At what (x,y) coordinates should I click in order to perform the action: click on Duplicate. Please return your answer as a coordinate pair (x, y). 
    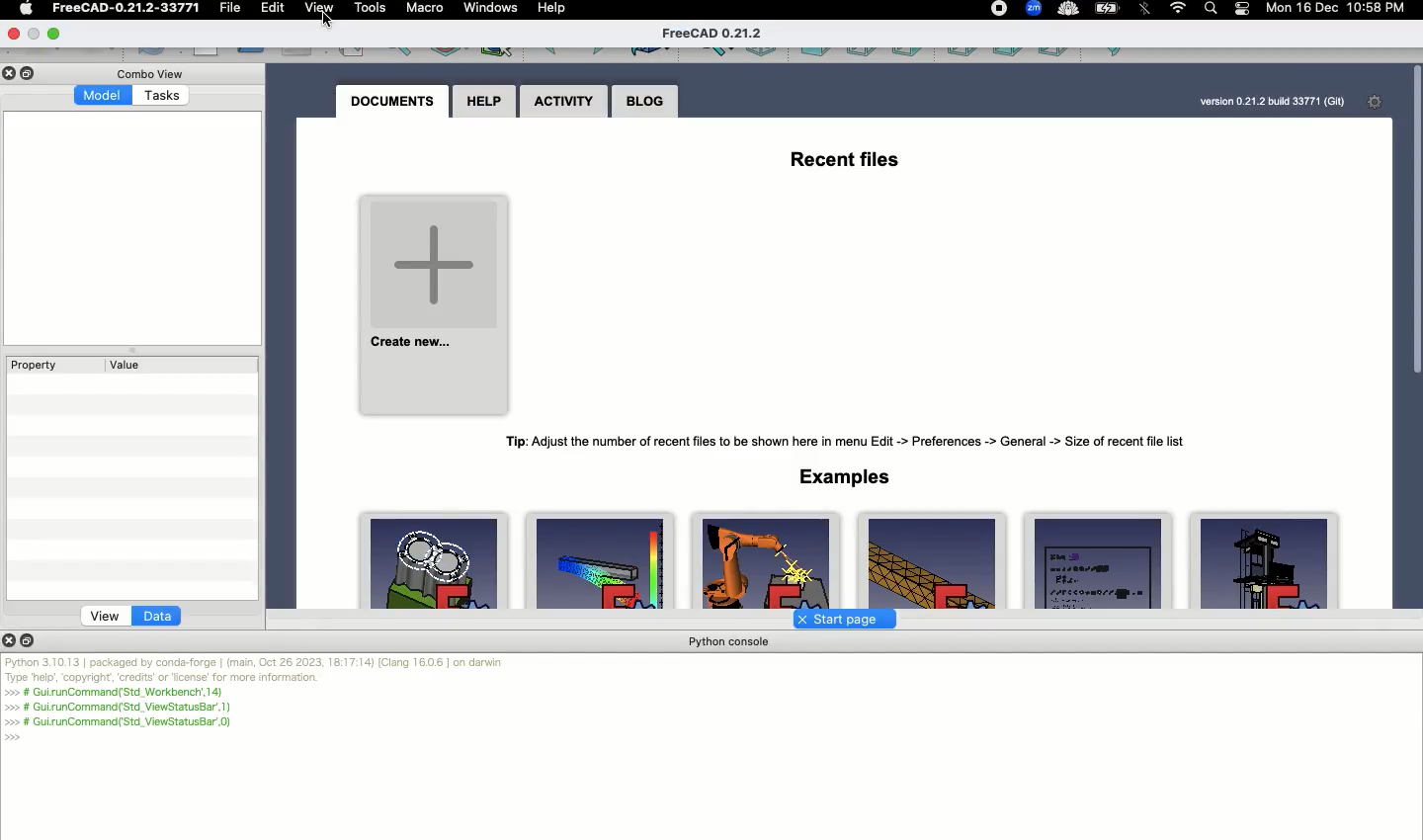
    Looking at the image, I should click on (31, 74).